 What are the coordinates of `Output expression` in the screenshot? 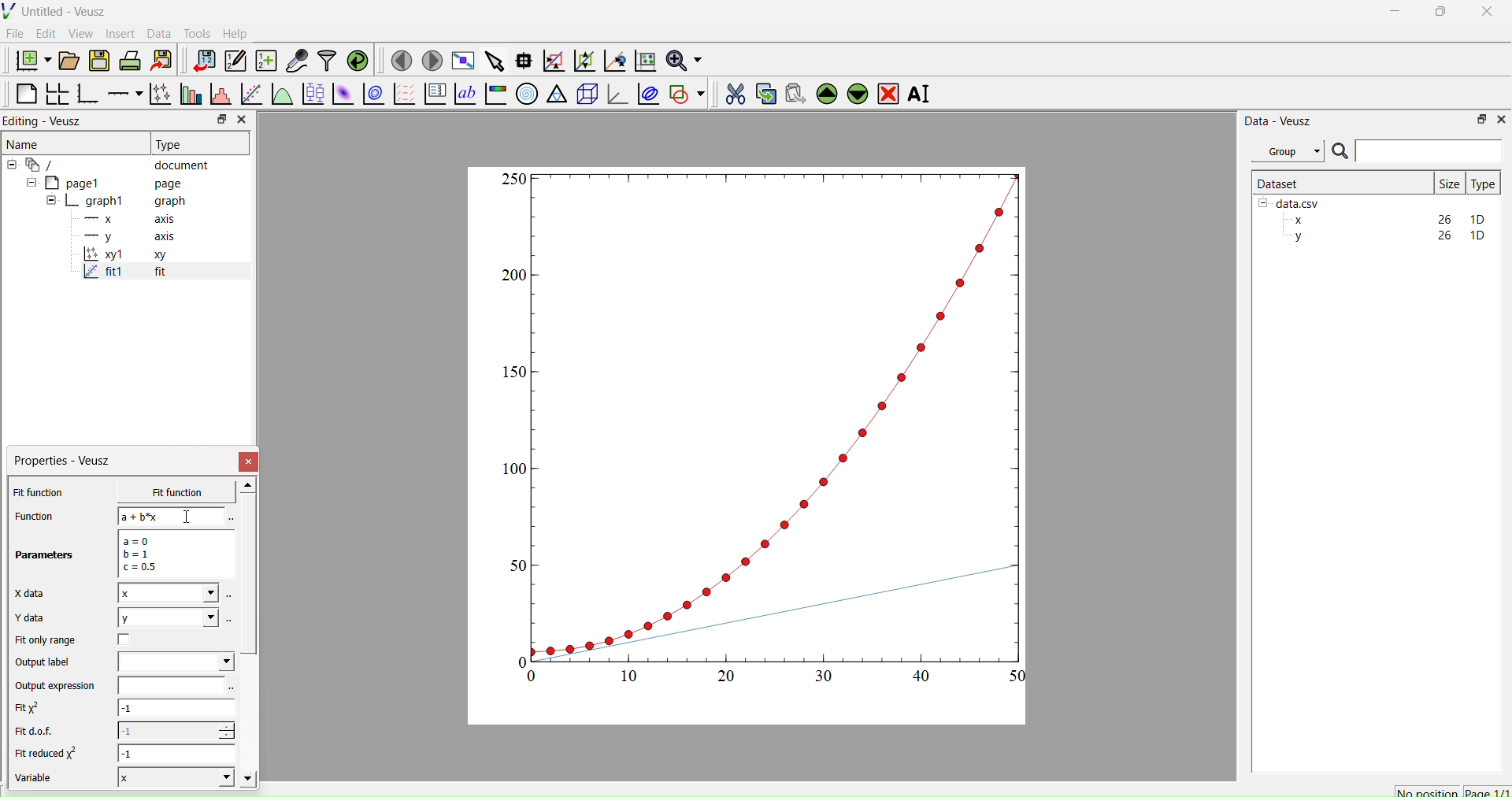 It's located at (60, 686).